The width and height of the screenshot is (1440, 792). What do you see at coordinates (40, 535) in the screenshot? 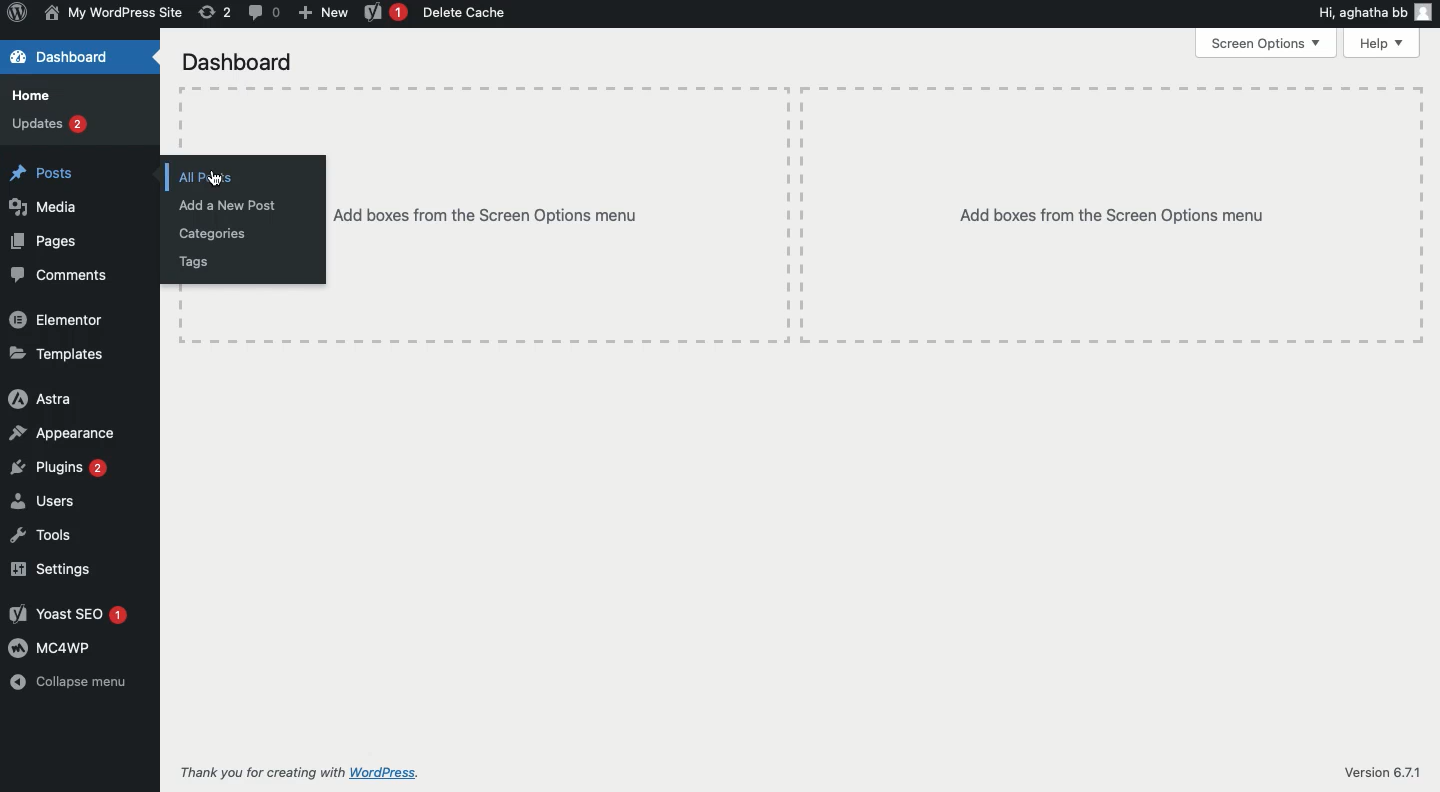
I see `Tools` at bounding box center [40, 535].